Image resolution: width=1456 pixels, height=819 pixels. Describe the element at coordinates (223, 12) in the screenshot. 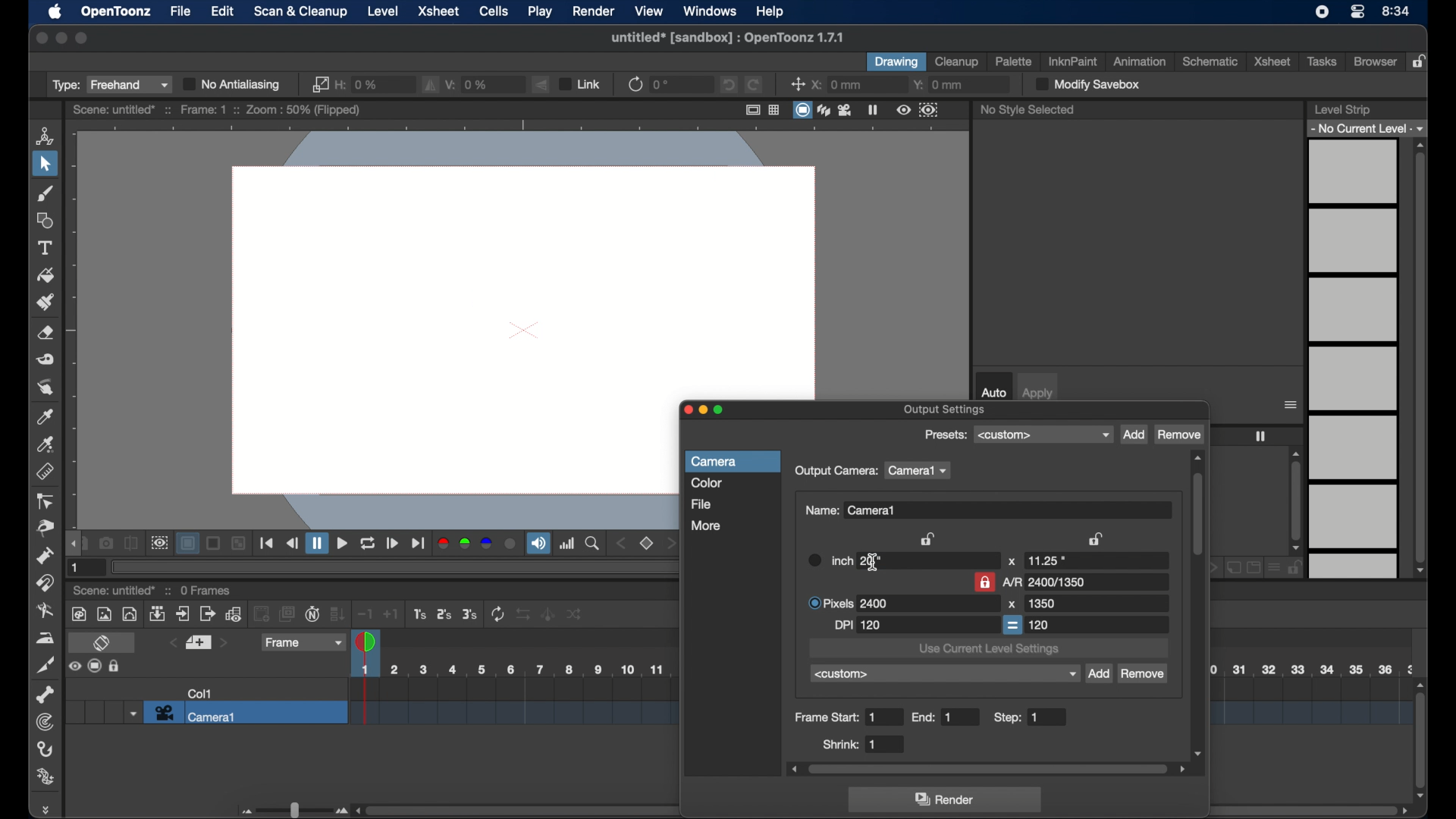

I see `edit` at that location.